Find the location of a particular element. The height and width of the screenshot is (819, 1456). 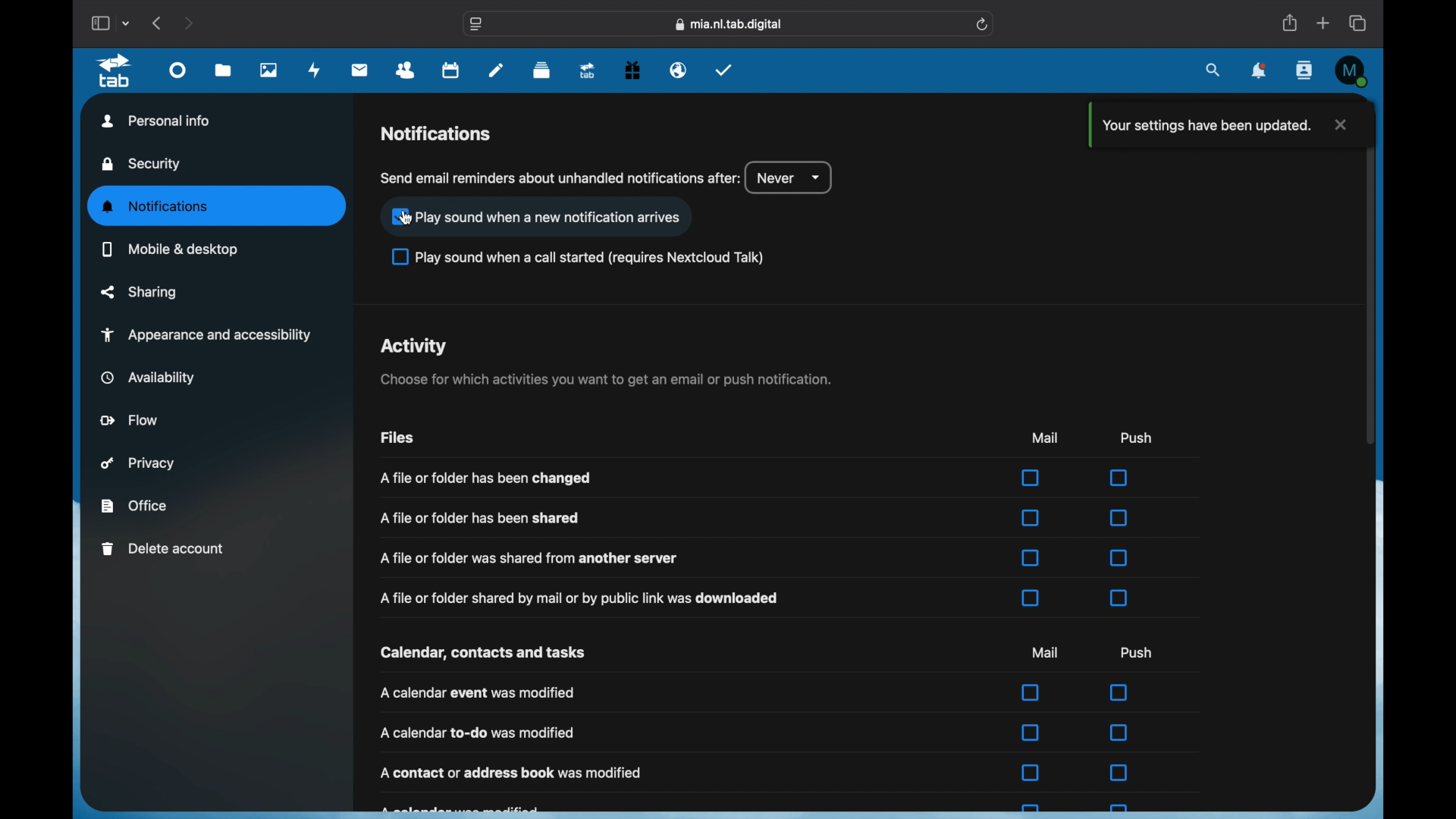

files is located at coordinates (224, 71).